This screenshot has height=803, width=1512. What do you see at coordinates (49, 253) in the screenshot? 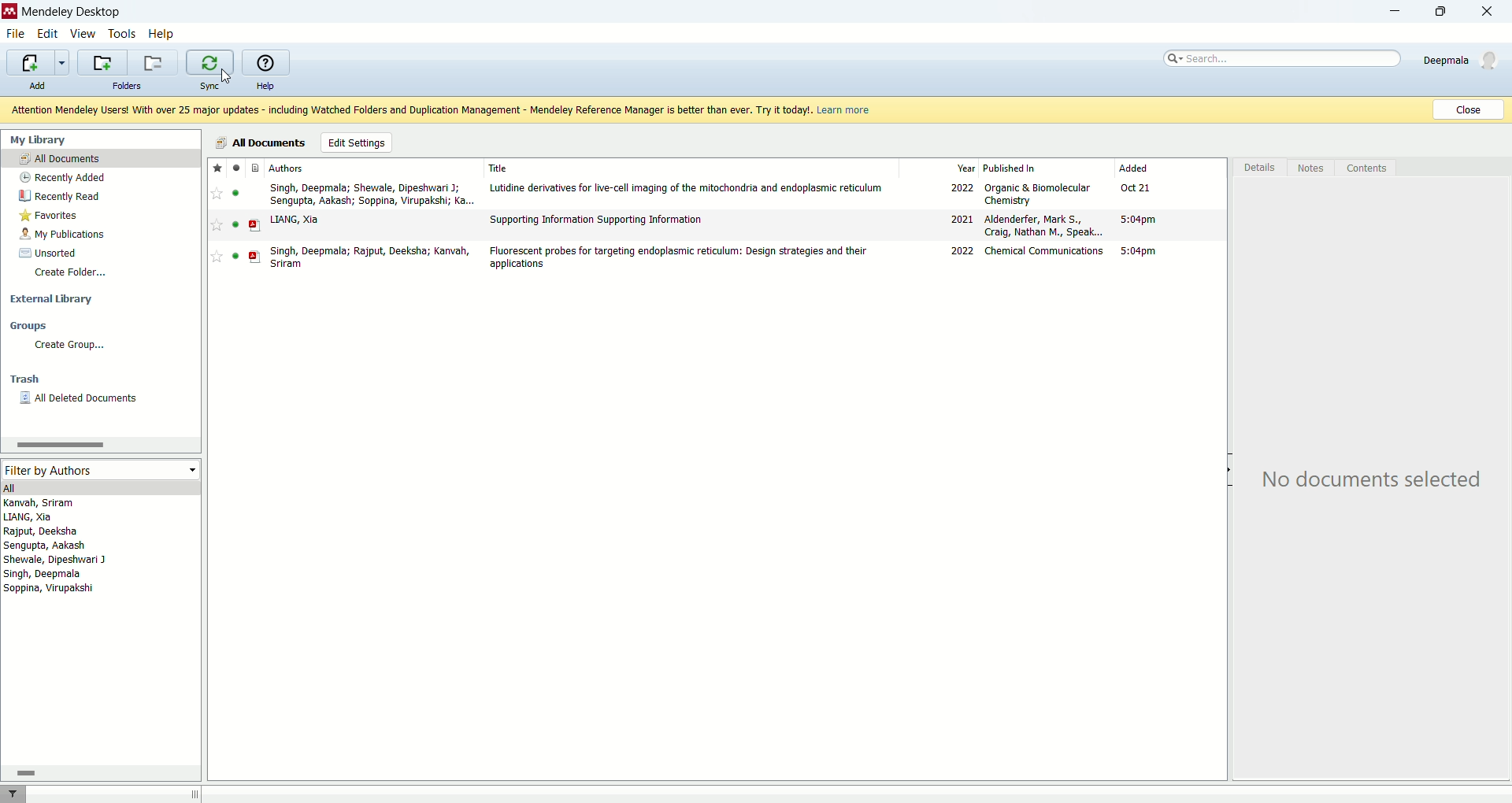
I see `unsorted` at bounding box center [49, 253].